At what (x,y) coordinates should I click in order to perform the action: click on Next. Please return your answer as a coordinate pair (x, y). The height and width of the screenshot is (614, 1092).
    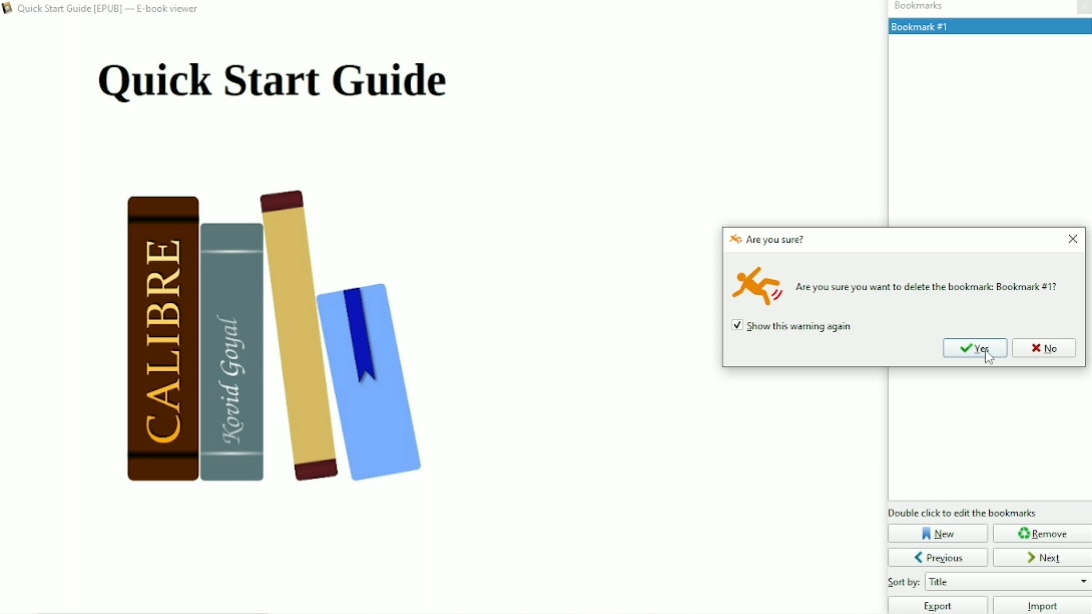
    Looking at the image, I should click on (1043, 557).